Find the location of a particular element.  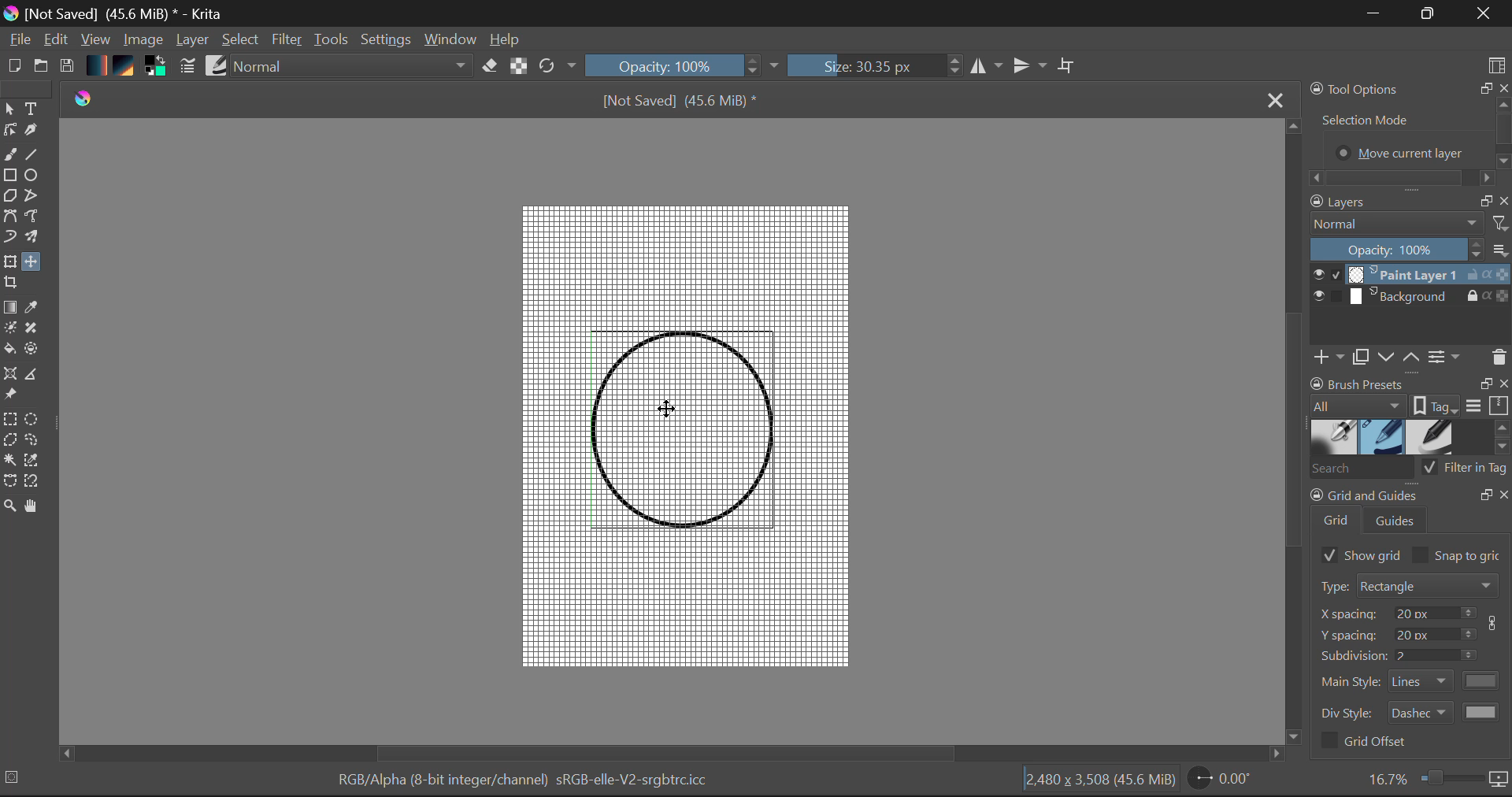

Eraser is located at coordinates (491, 67).